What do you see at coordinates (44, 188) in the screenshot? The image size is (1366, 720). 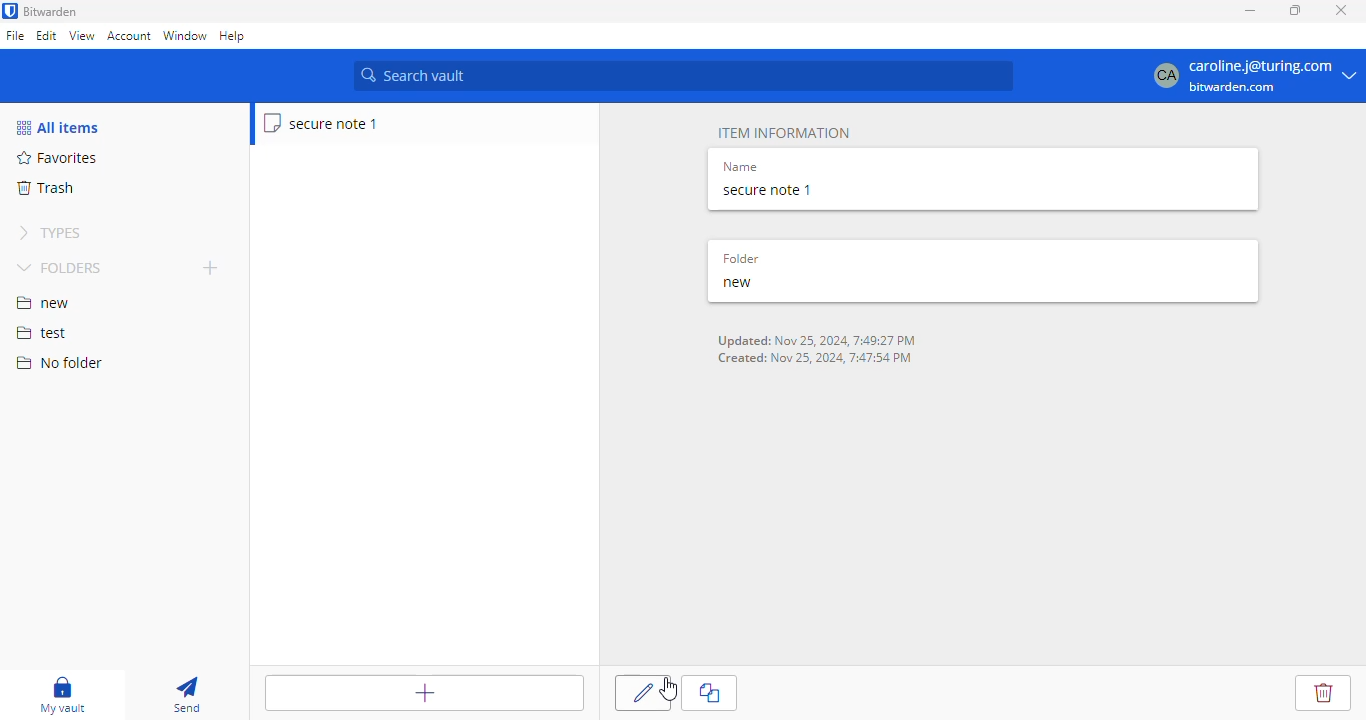 I see `trash` at bounding box center [44, 188].